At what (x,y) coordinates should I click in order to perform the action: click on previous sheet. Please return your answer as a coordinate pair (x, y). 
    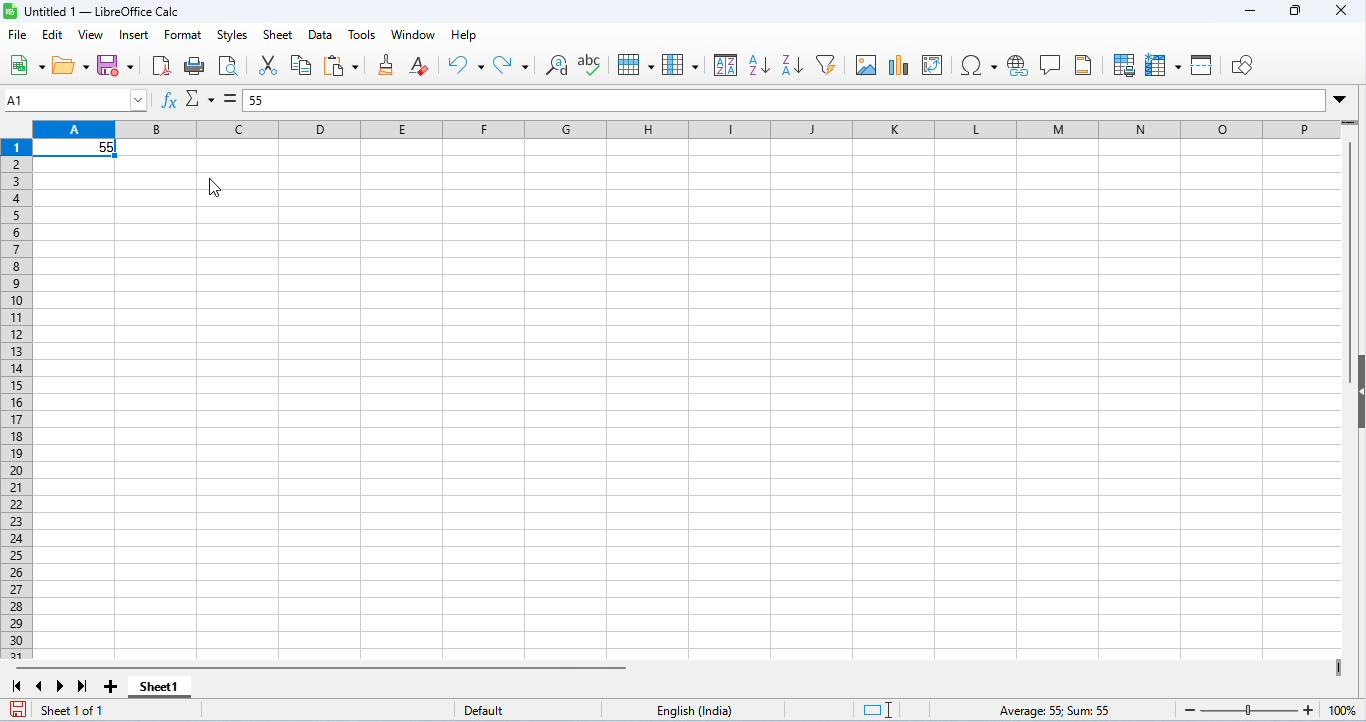
    Looking at the image, I should click on (41, 685).